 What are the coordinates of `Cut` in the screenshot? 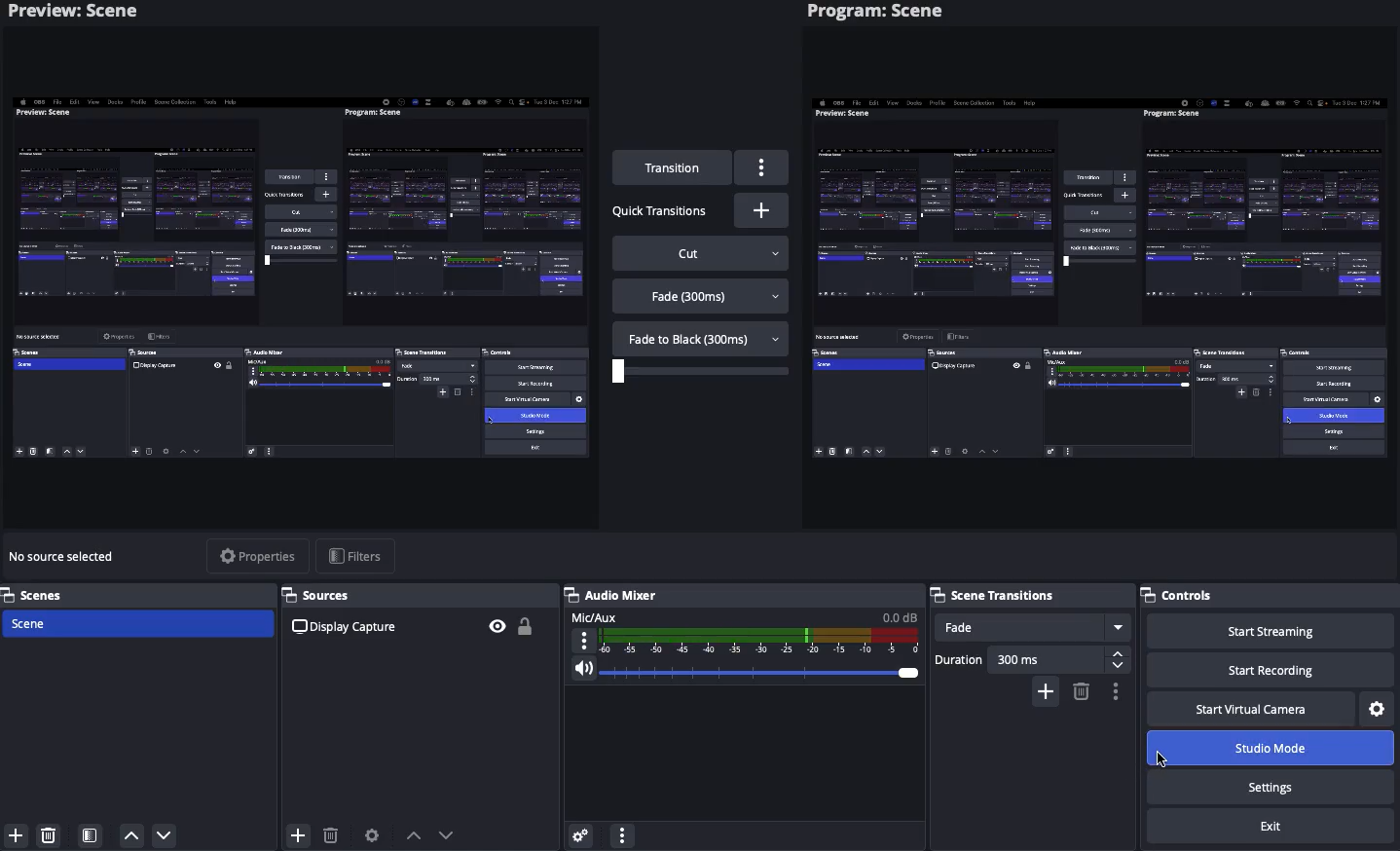 It's located at (703, 252).